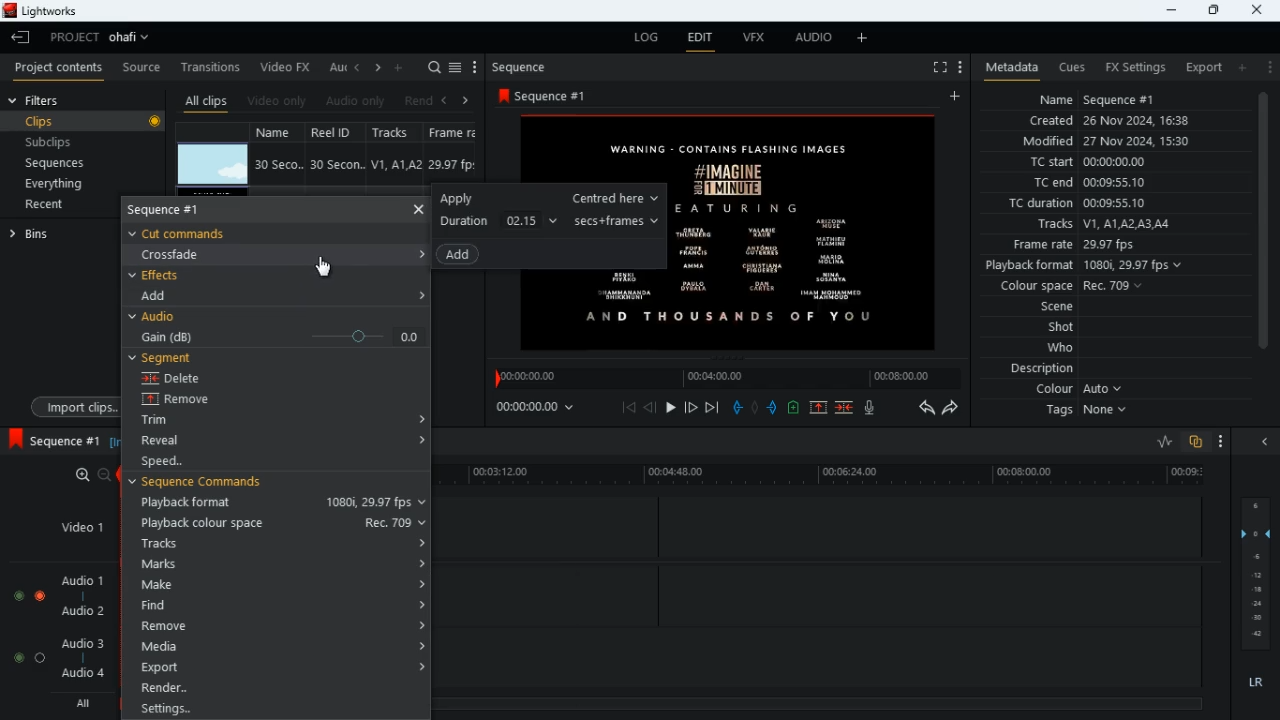 The width and height of the screenshot is (1280, 720). I want to click on overlap, so click(1197, 443).